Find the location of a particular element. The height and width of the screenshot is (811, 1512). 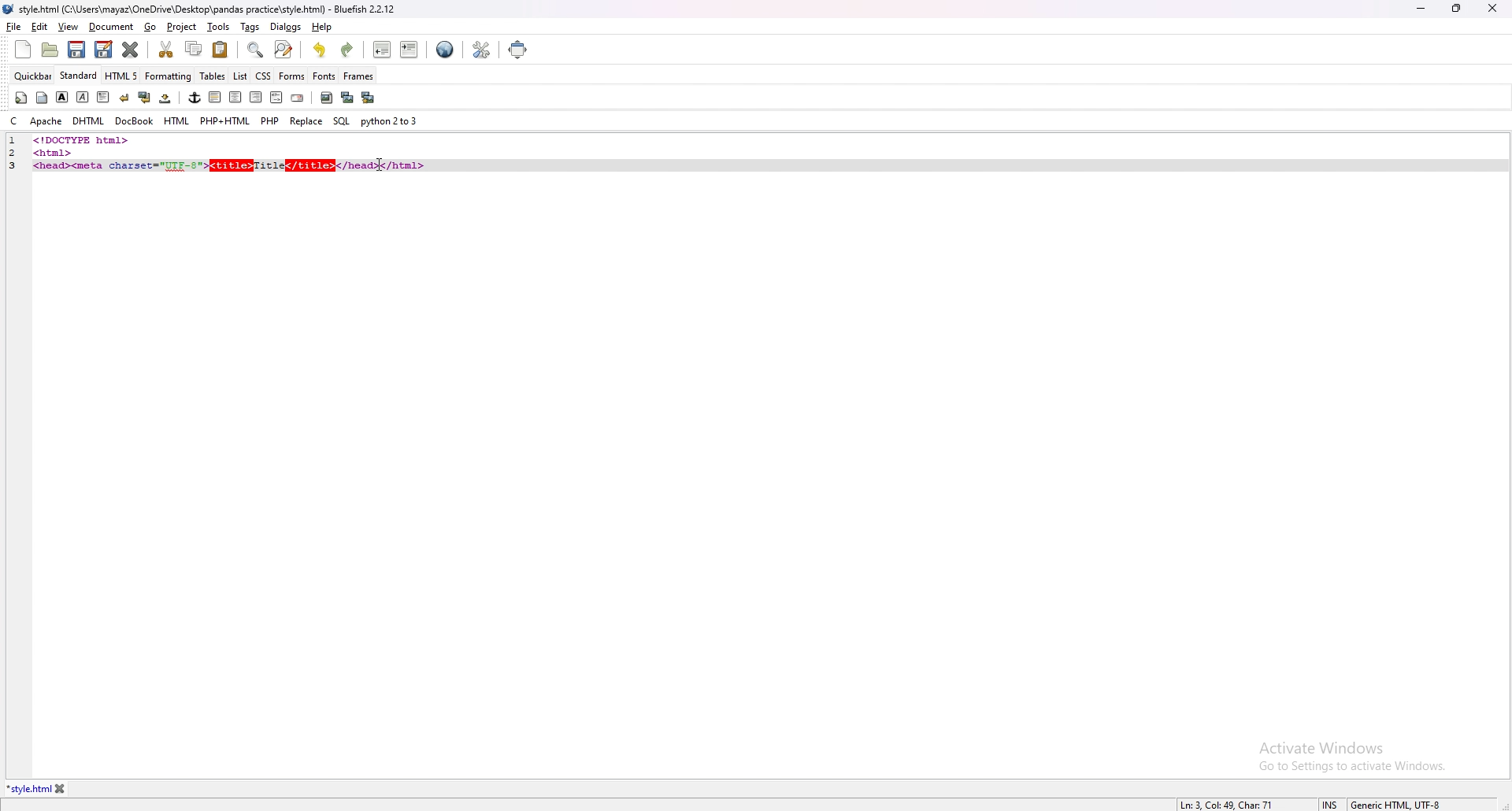

full screen is located at coordinates (520, 49).